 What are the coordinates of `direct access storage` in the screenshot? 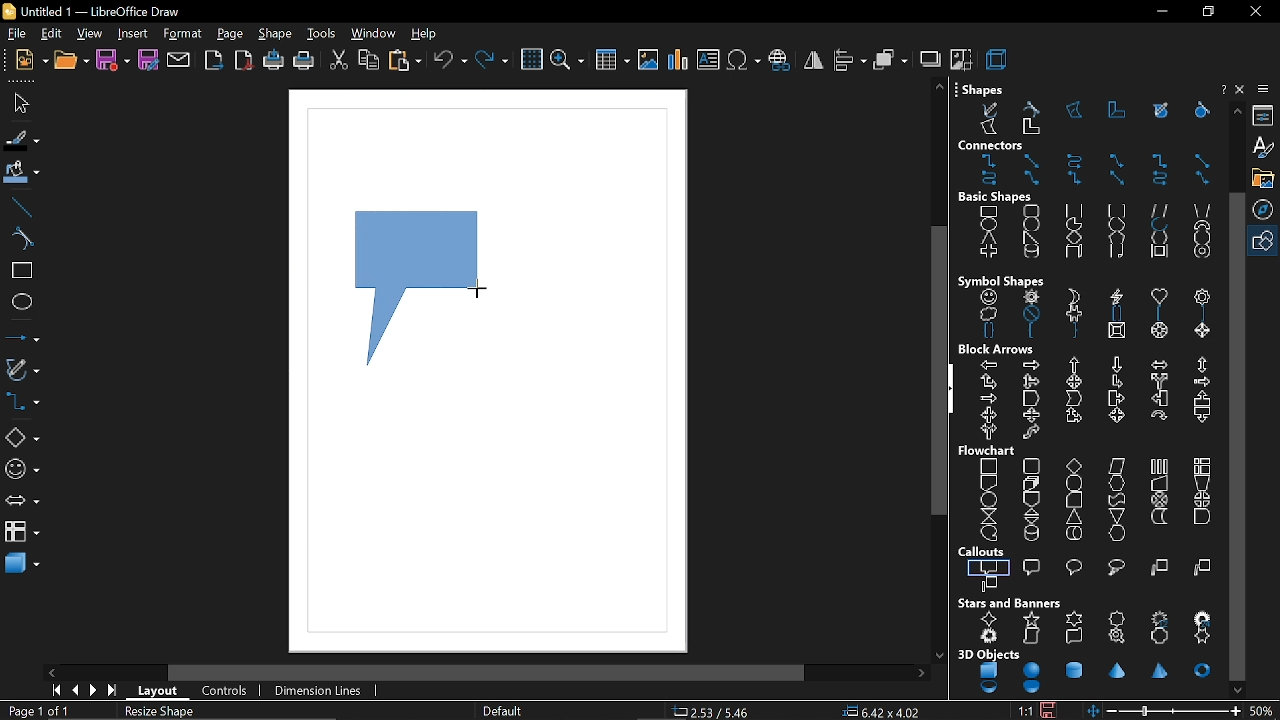 It's located at (1073, 534).